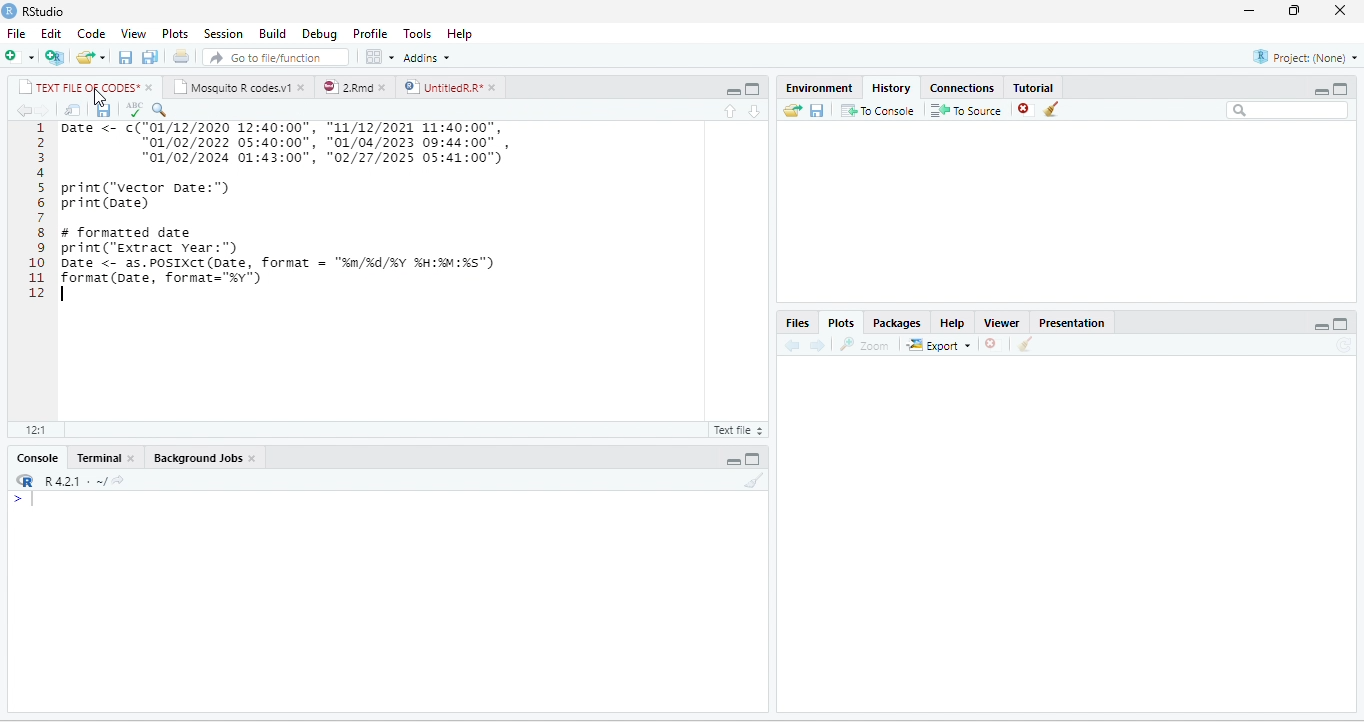  I want to click on maximize, so click(753, 89).